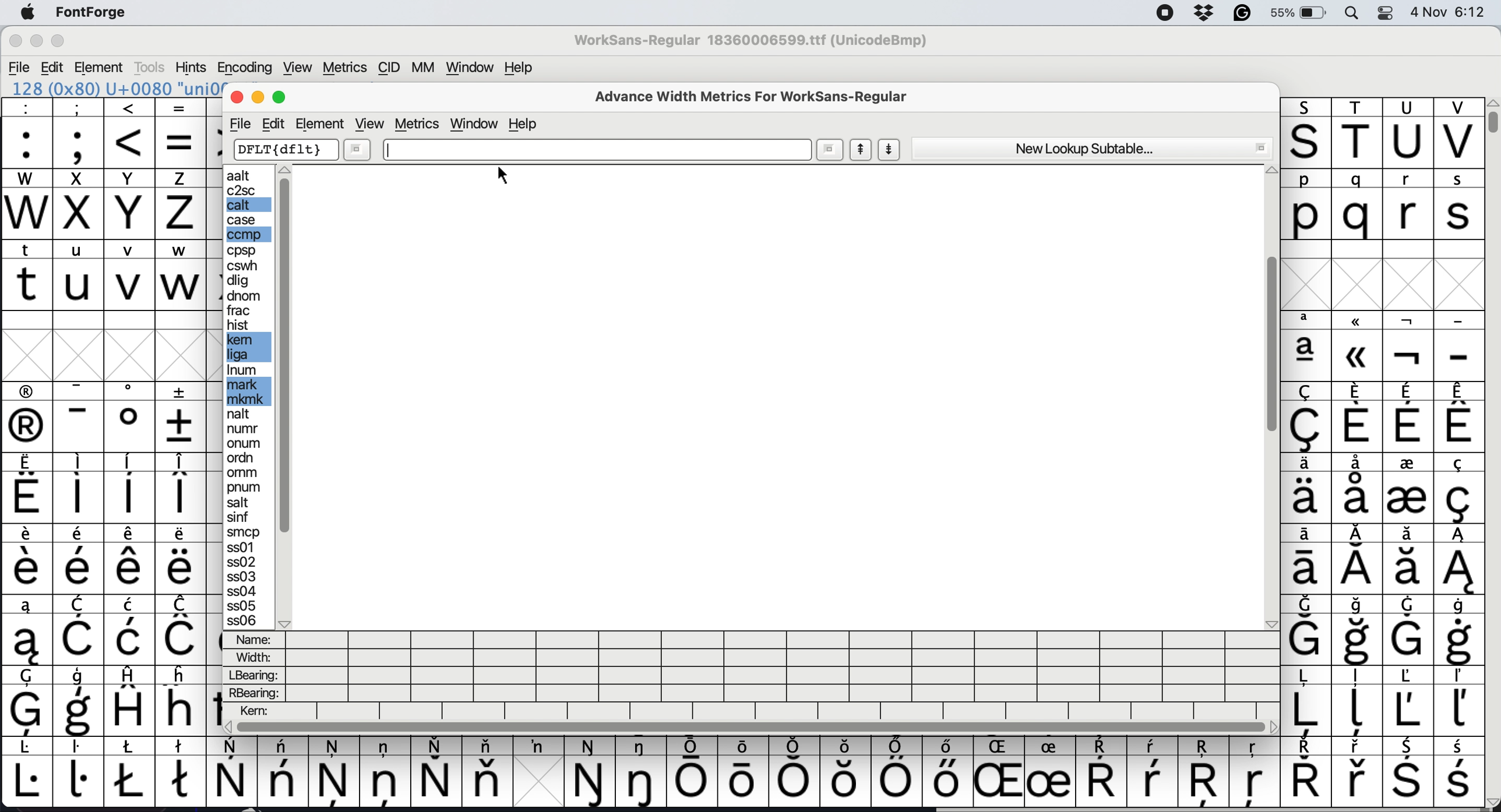 The image size is (1501, 812). Describe the element at coordinates (1382, 605) in the screenshot. I see `special characters` at that location.